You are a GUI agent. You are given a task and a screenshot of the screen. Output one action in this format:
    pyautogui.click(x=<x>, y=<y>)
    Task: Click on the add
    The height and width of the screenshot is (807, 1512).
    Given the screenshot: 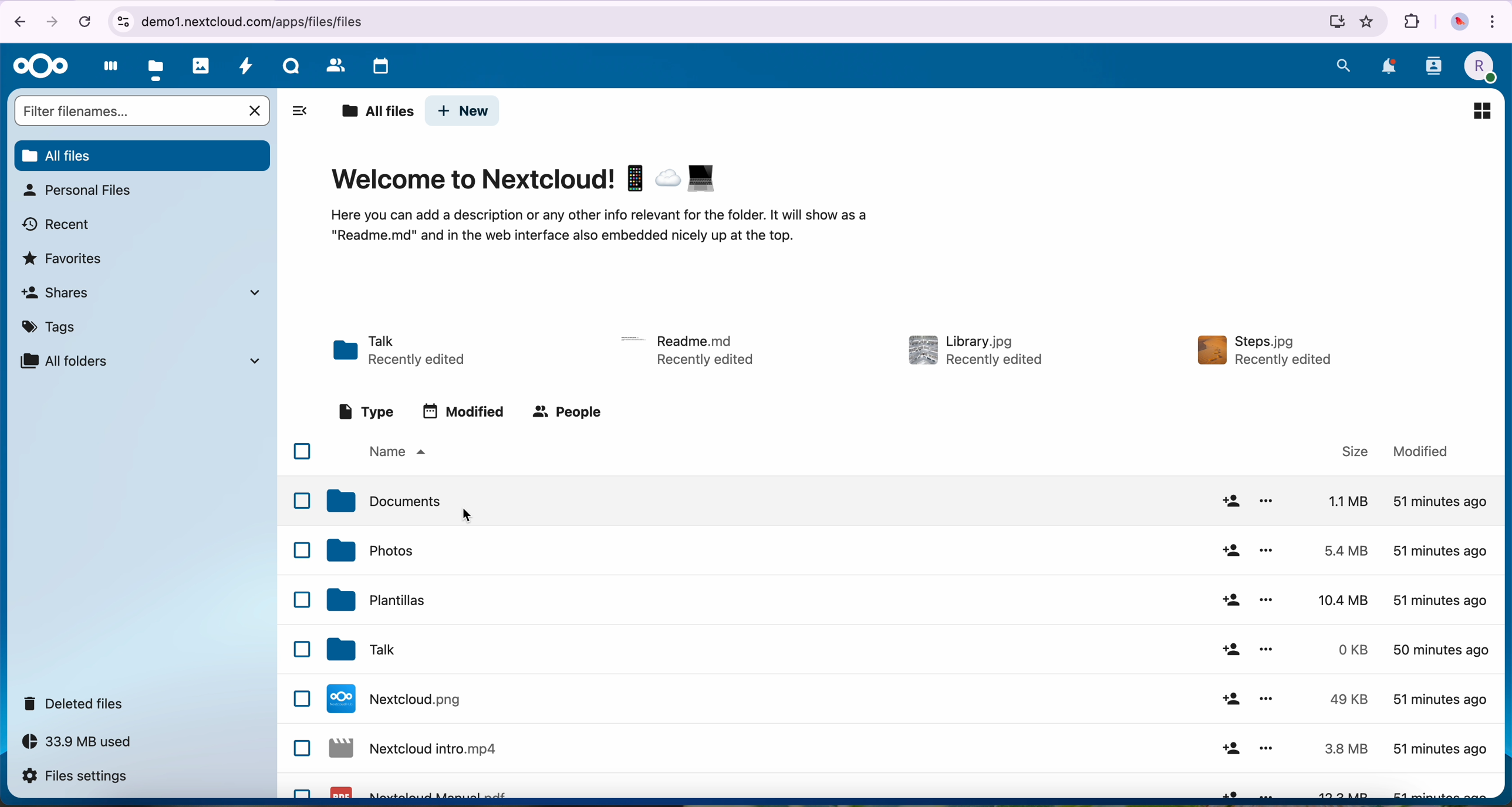 What is the action you would take?
    pyautogui.click(x=1231, y=551)
    